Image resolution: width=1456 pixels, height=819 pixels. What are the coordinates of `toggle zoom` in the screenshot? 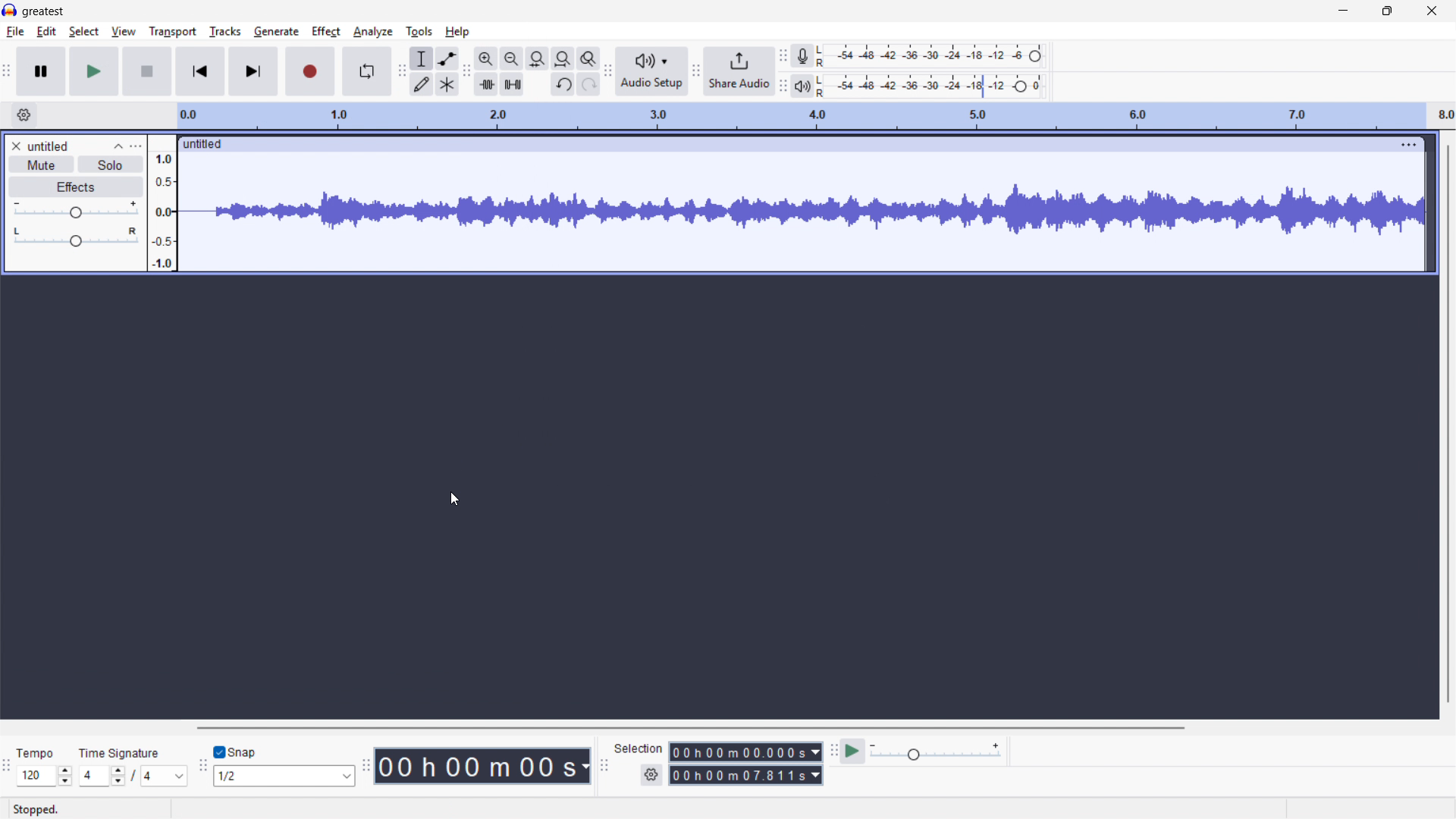 It's located at (588, 58).